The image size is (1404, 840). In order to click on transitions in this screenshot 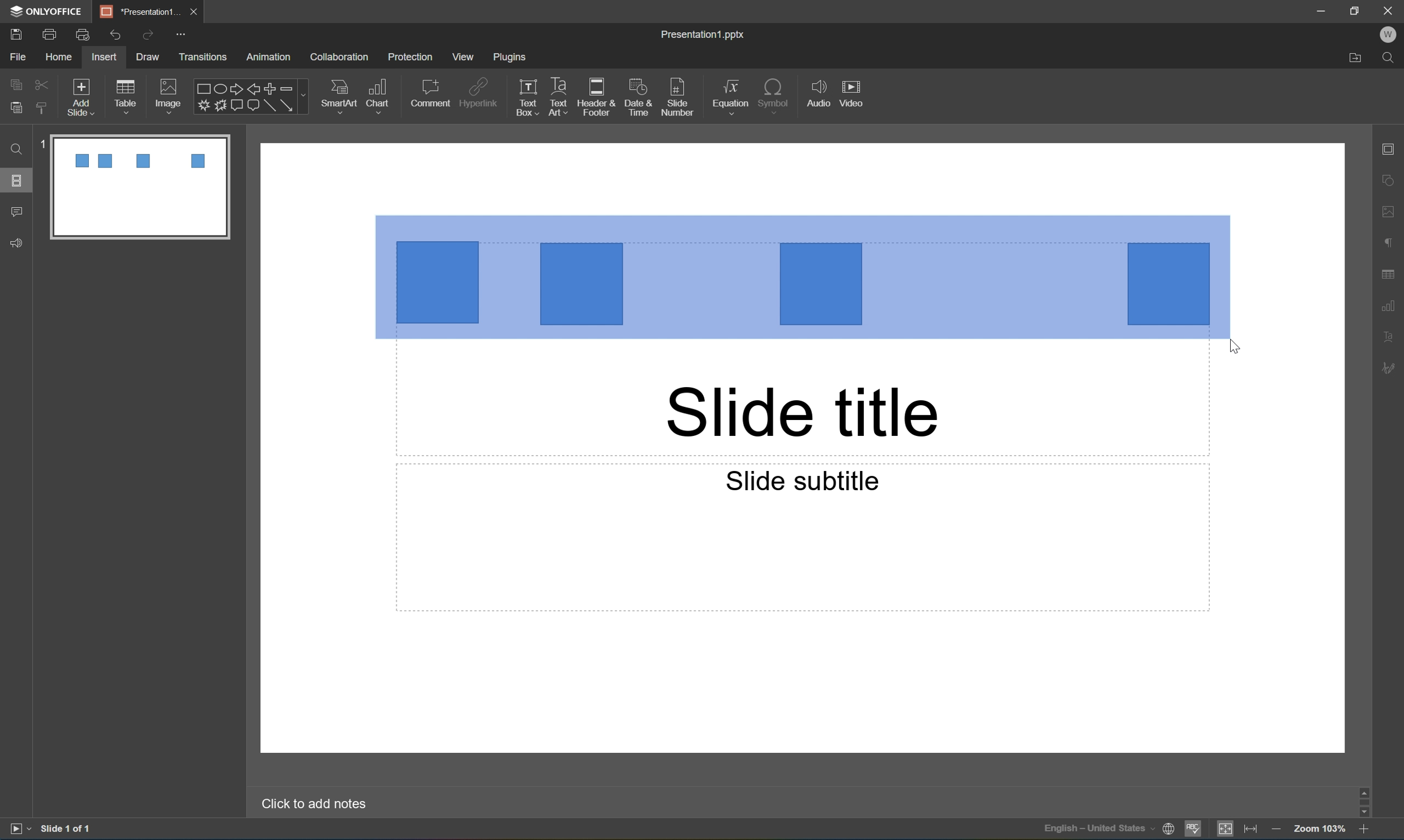, I will do `click(204, 57)`.